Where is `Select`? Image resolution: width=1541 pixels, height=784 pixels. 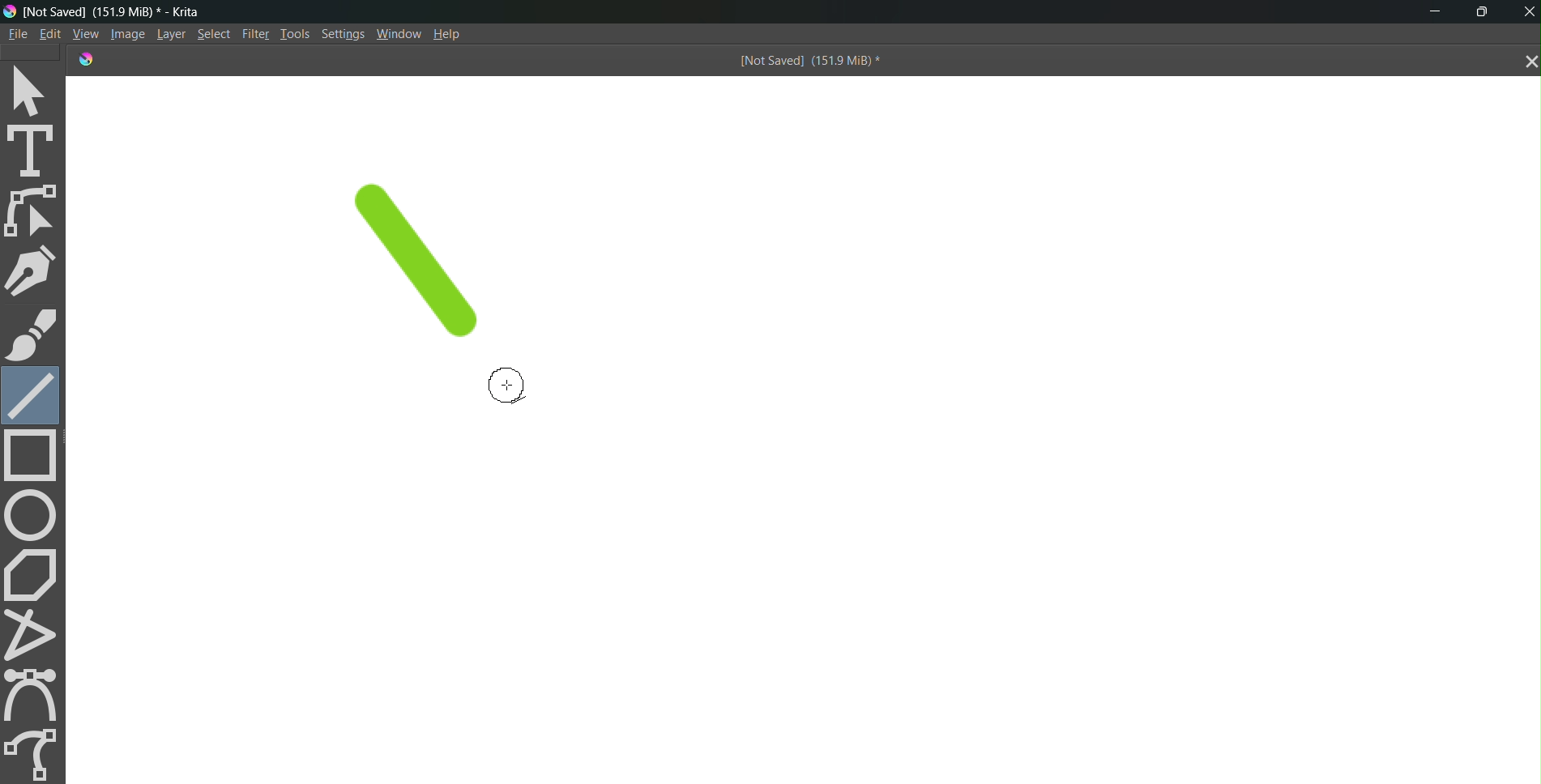 Select is located at coordinates (214, 35).